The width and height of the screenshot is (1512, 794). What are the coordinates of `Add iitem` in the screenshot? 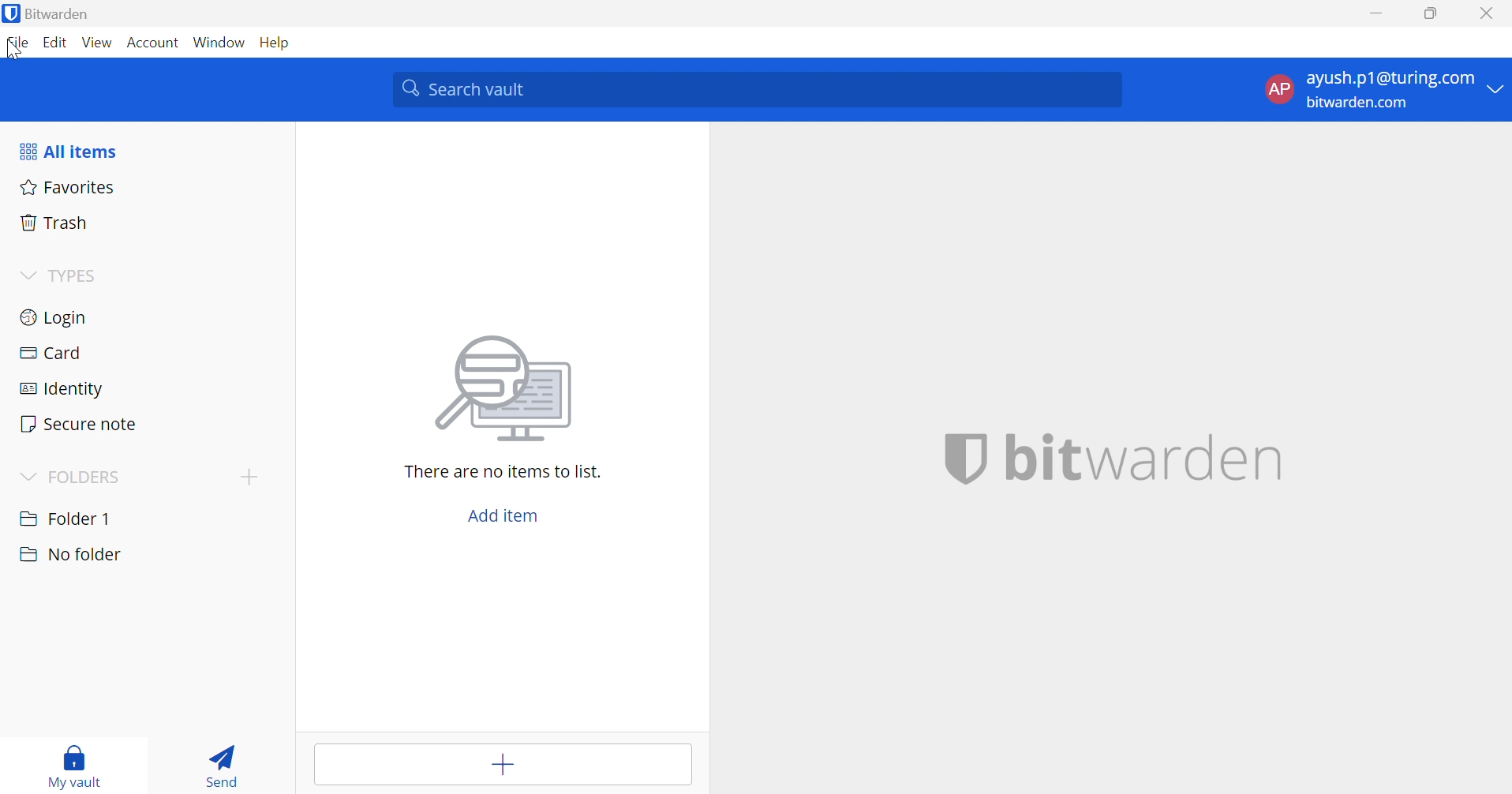 It's located at (499, 517).